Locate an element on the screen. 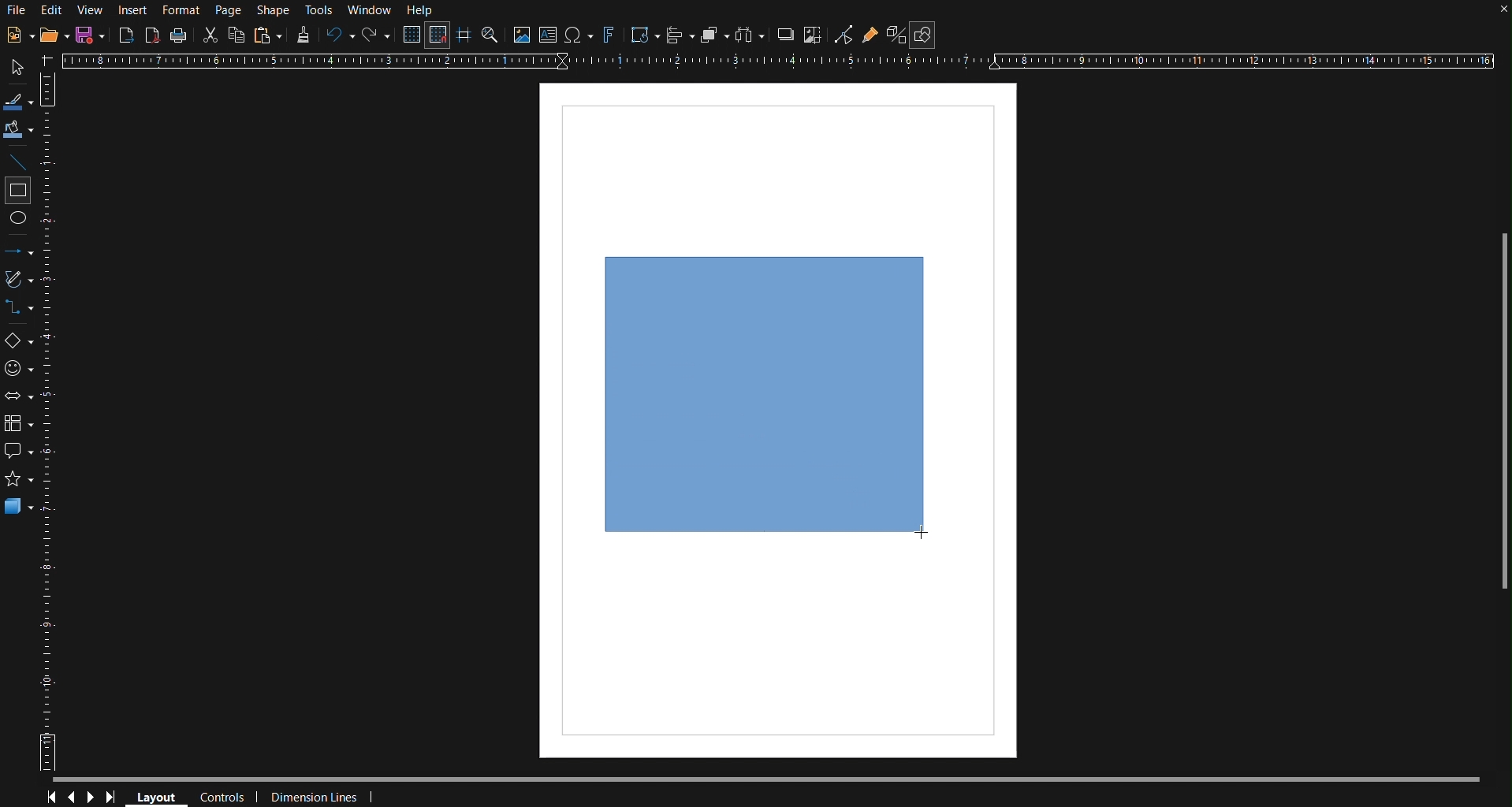 This screenshot has height=807, width=1512. Line is located at coordinates (20, 160).